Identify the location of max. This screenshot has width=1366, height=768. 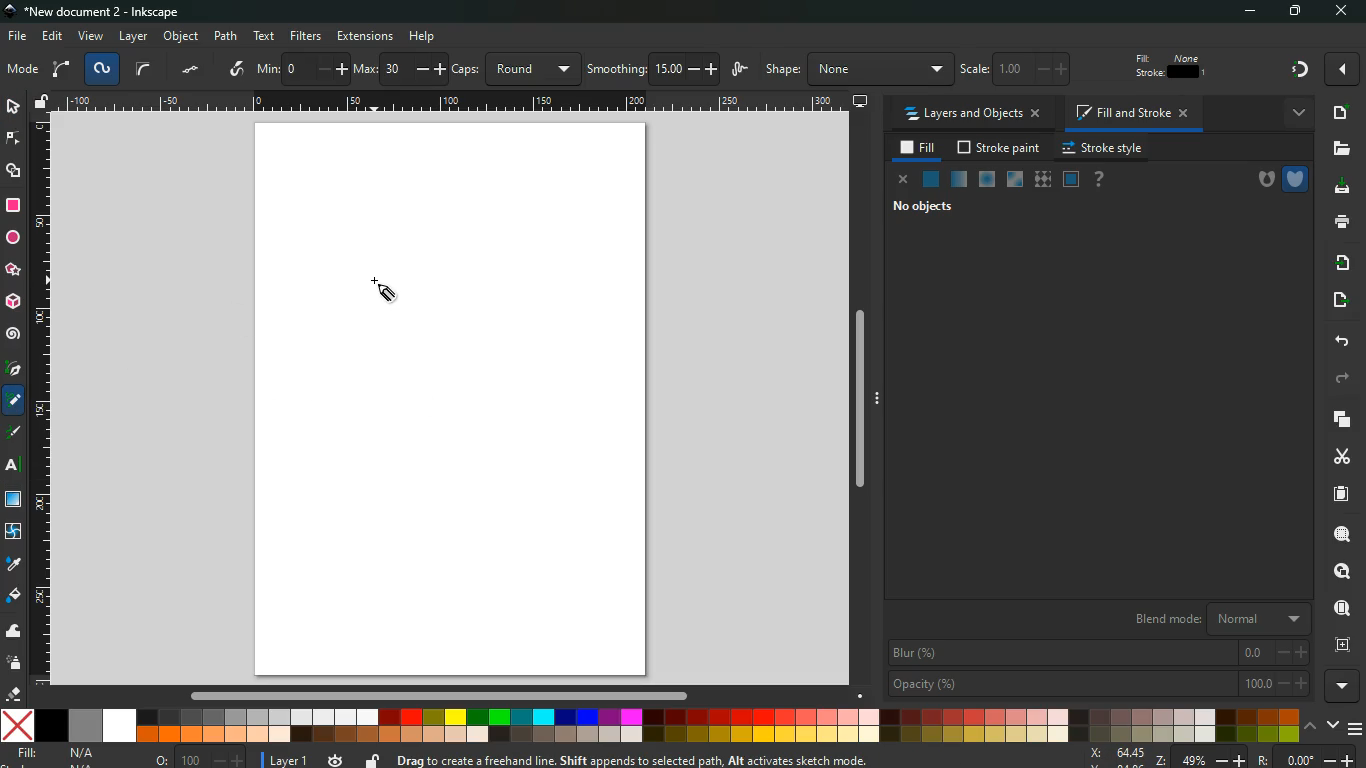
(399, 69).